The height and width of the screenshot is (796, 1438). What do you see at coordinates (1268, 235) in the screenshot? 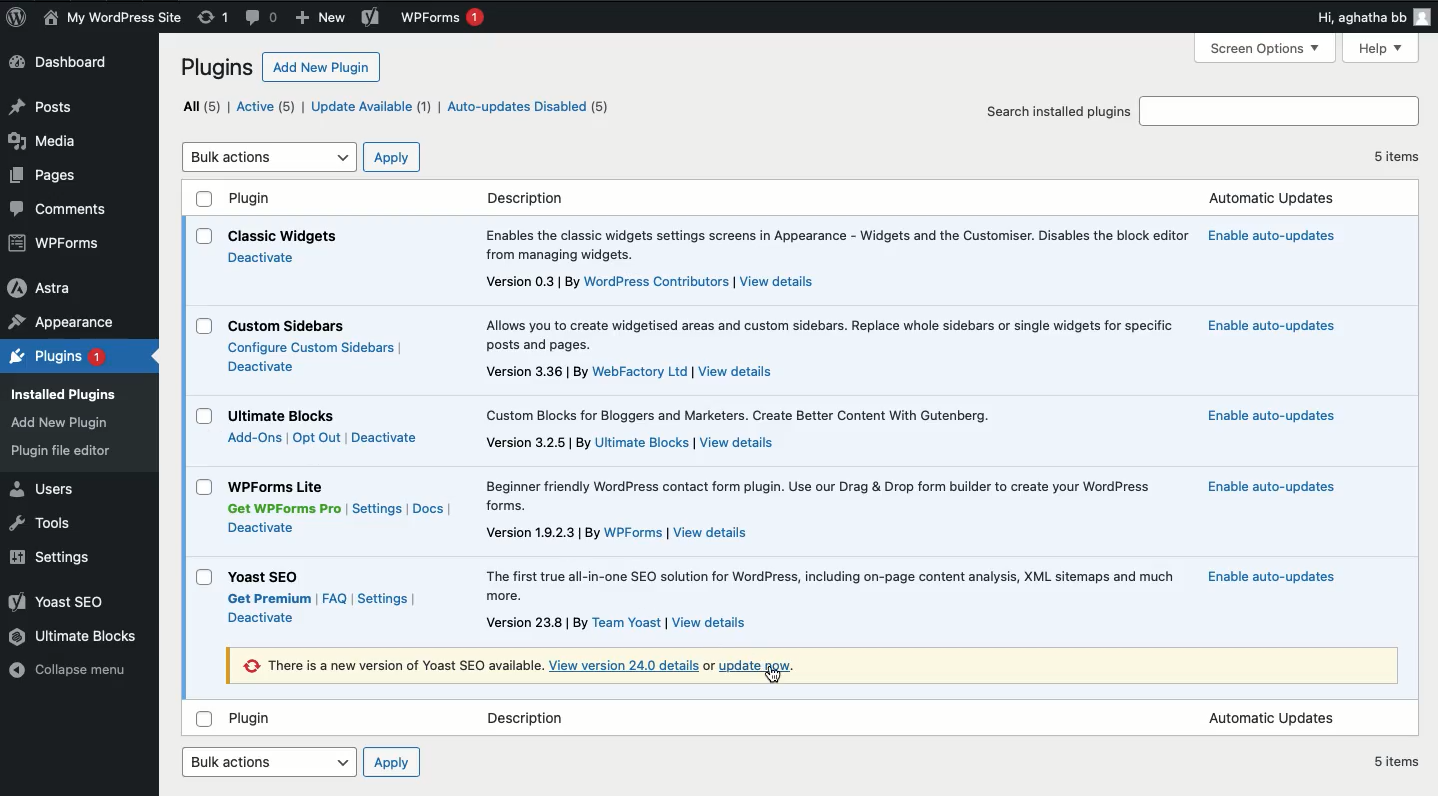
I see `Enable auto updates` at bounding box center [1268, 235].